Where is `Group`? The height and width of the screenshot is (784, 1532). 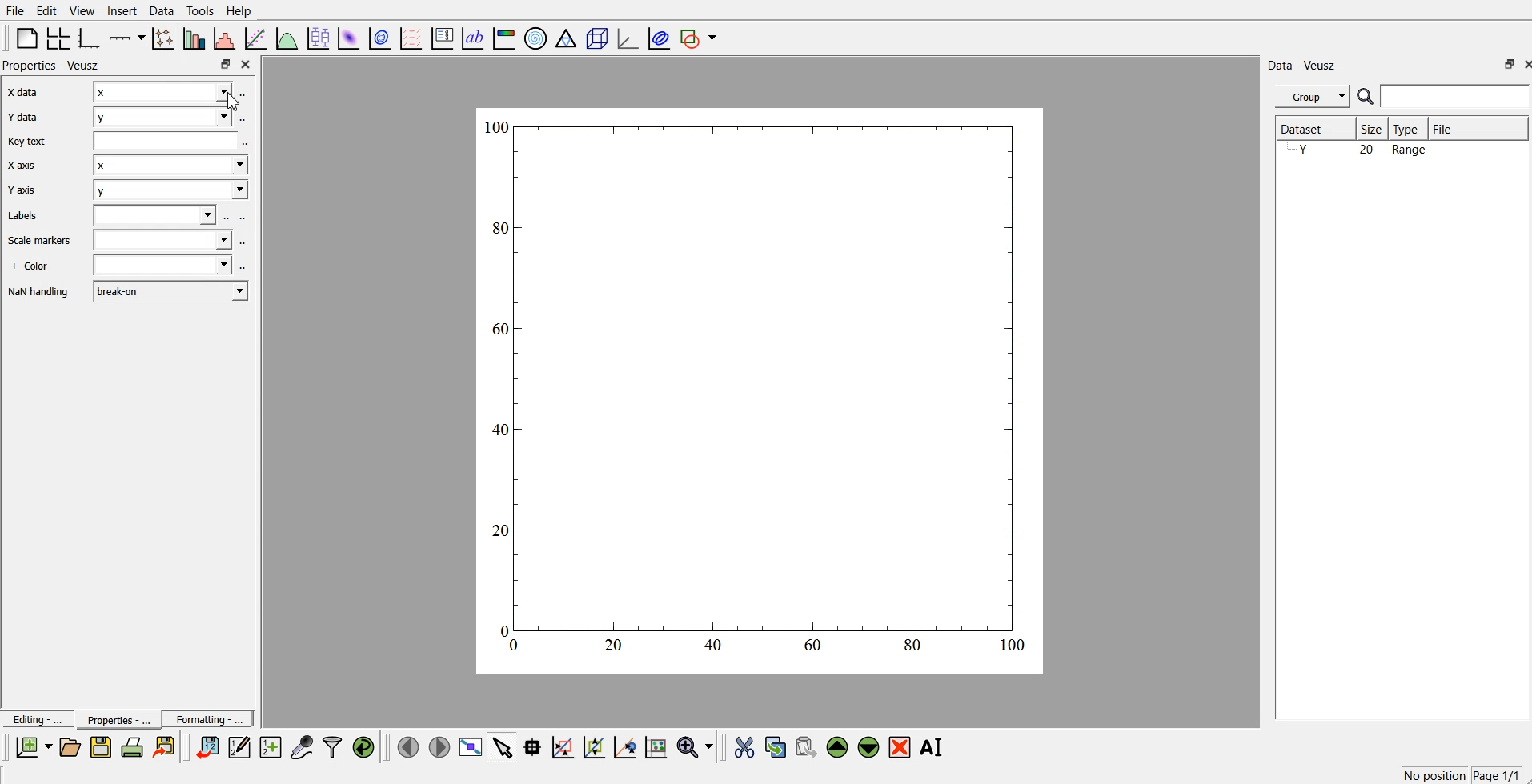 Group is located at coordinates (1309, 97).